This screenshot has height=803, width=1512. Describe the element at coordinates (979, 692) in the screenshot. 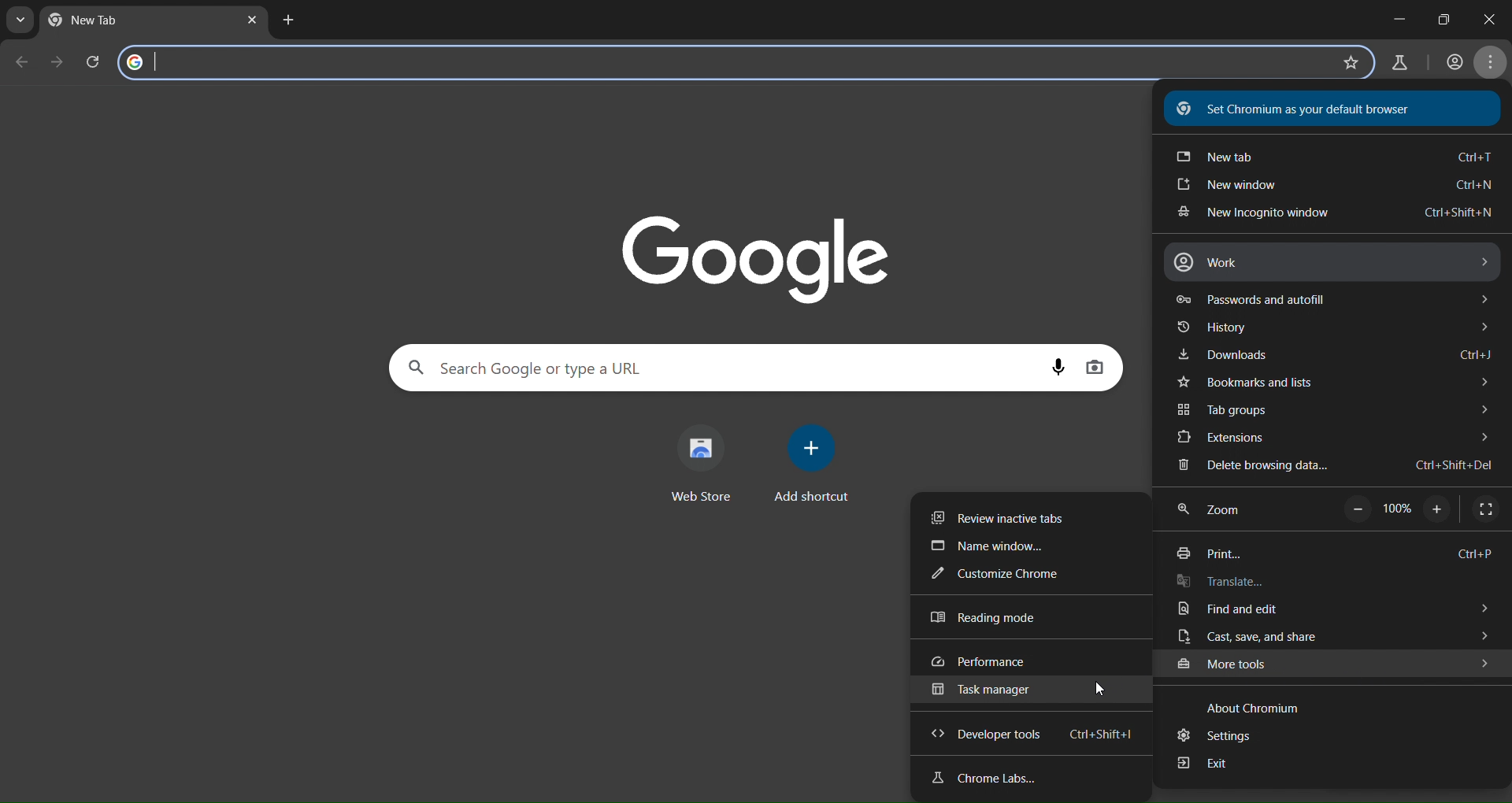

I see `task manager` at that location.